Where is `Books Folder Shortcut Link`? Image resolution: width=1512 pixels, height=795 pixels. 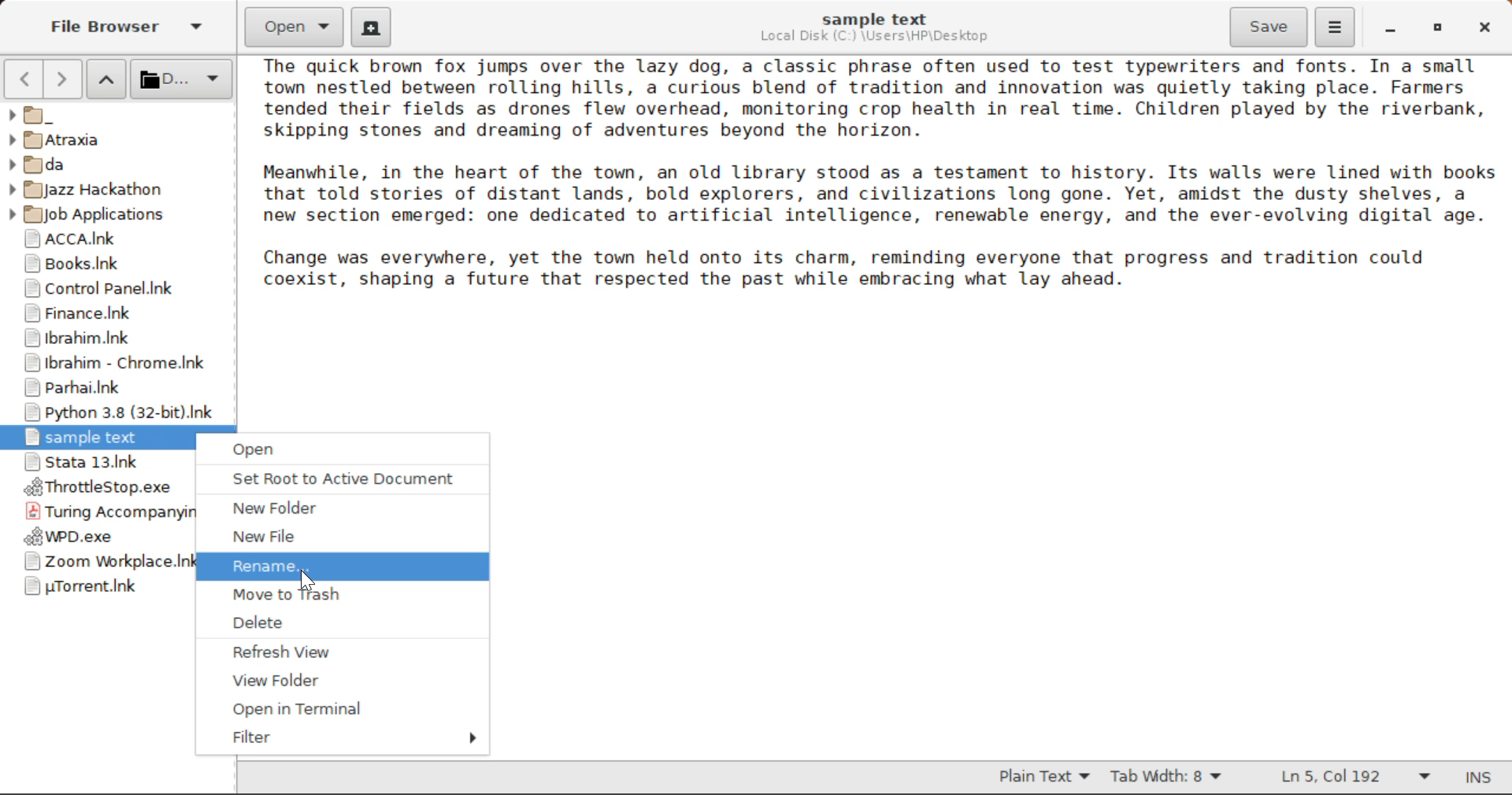 Books Folder Shortcut Link is located at coordinates (117, 264).